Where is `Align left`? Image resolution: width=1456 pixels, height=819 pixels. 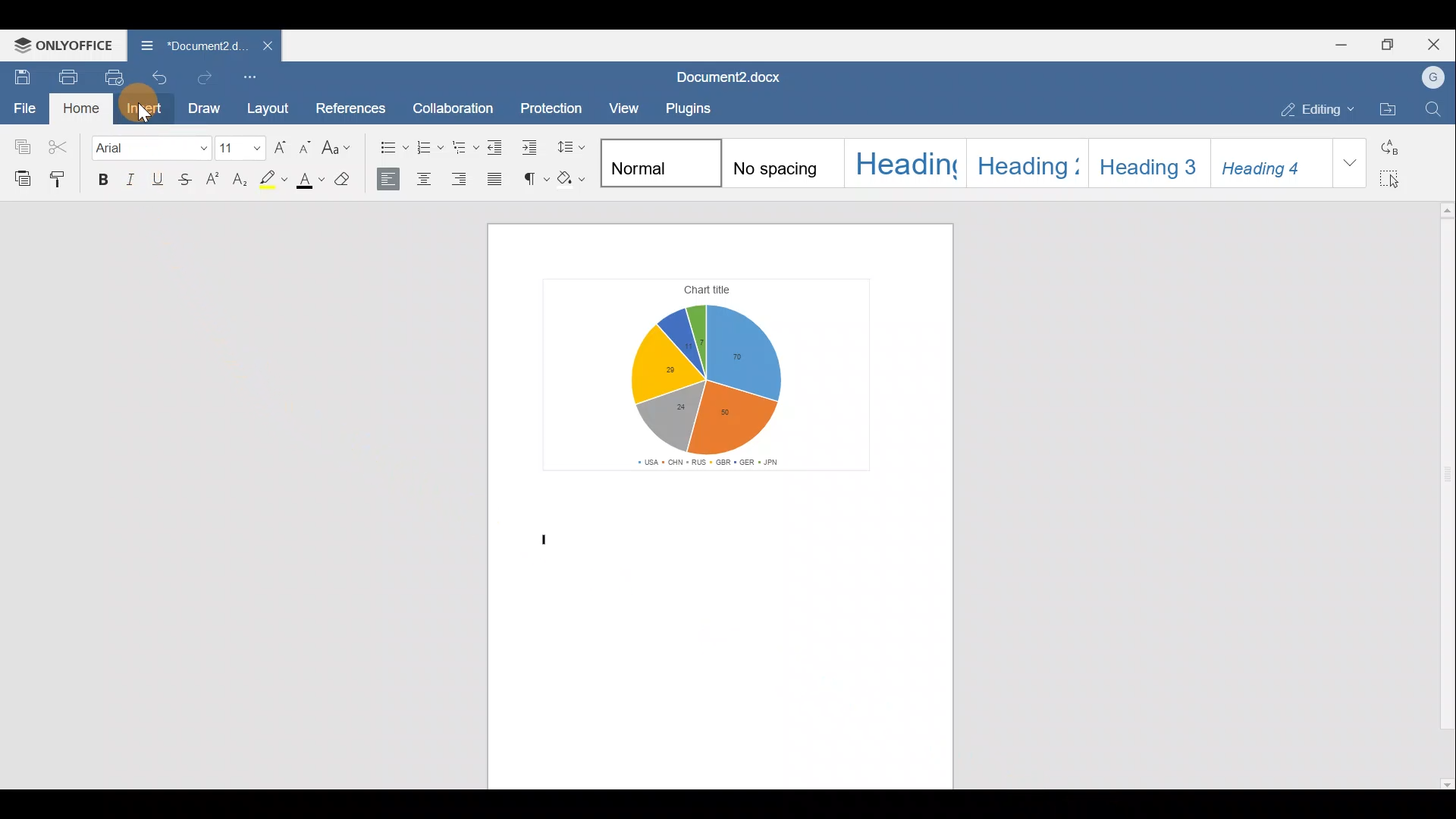 Align left is located at coordinates (392, 181).